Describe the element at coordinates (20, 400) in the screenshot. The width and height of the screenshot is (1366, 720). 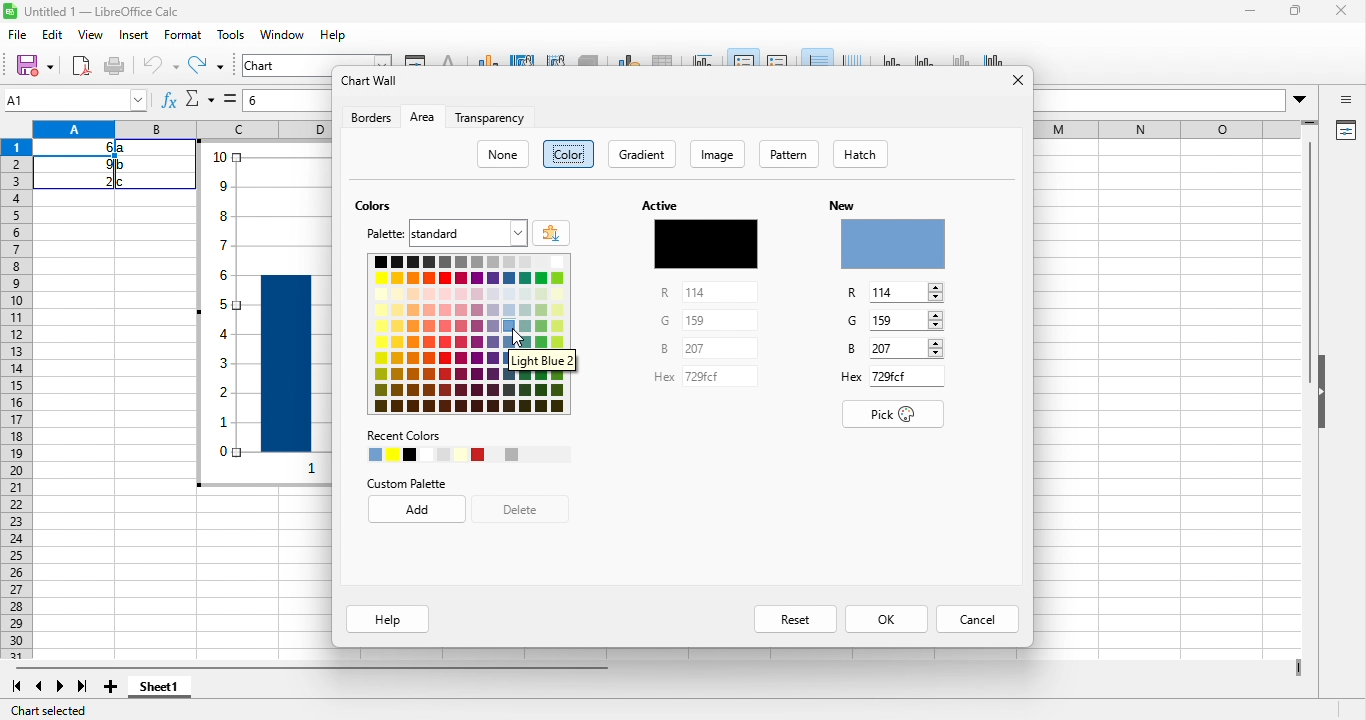
I see `row headings` at that location.